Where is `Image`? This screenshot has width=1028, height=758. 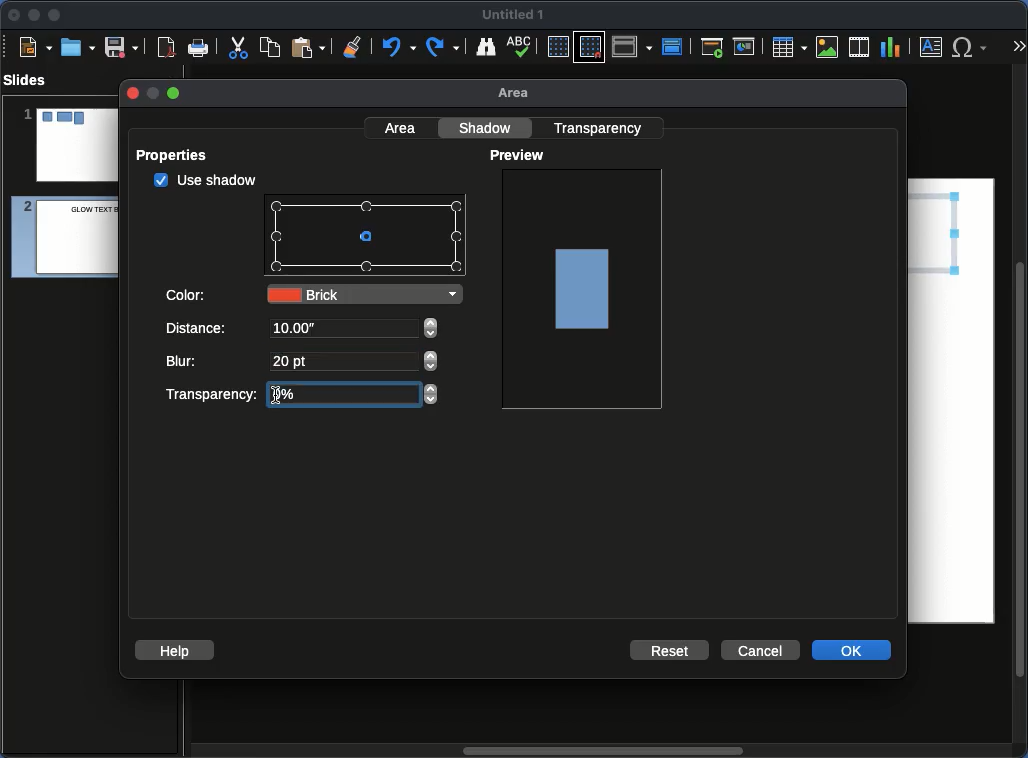
Image is located at coordinates (828, 47).